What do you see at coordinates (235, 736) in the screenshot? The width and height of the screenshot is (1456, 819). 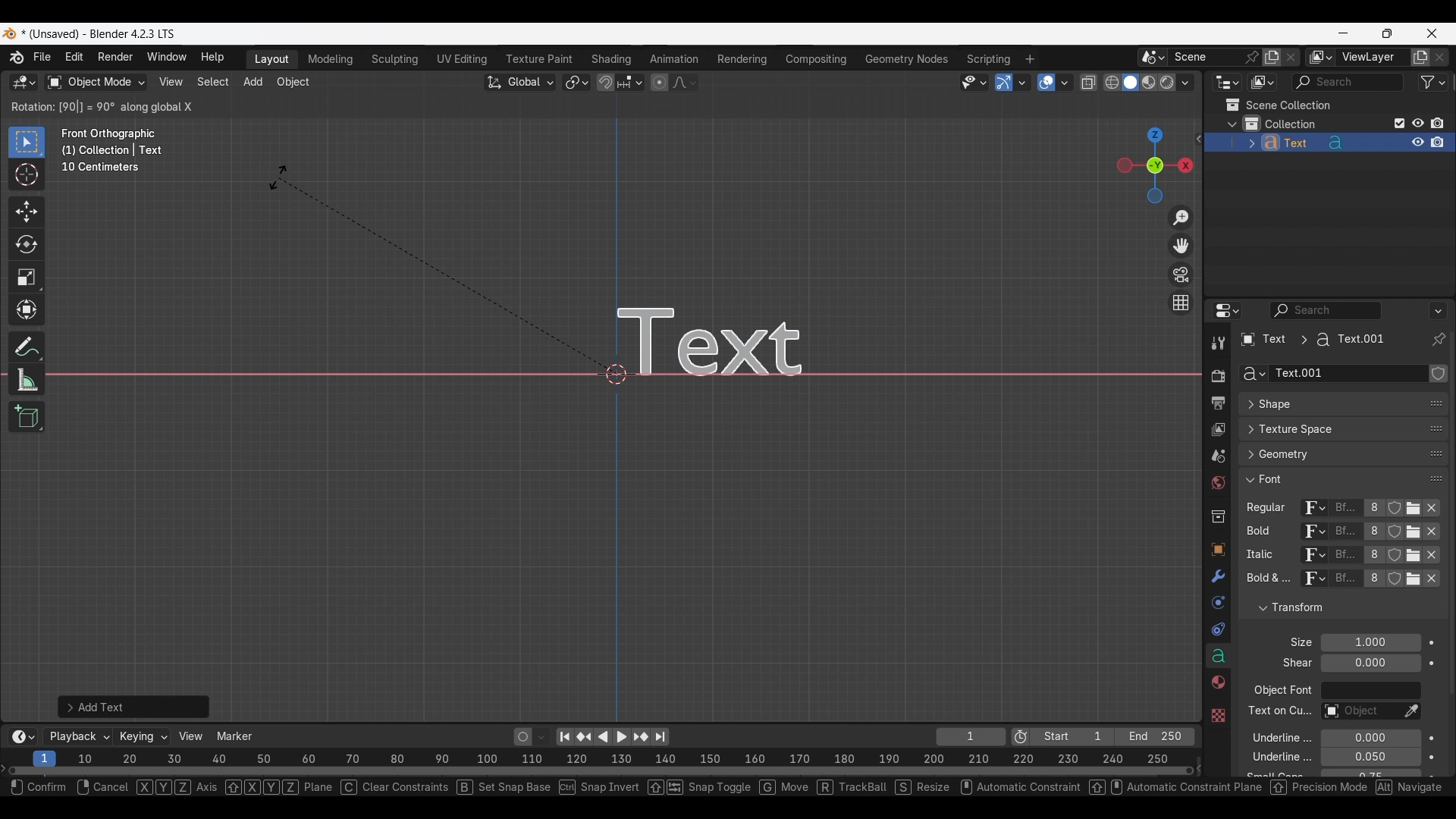 I see `Marker` at bounding box center [235, 736].